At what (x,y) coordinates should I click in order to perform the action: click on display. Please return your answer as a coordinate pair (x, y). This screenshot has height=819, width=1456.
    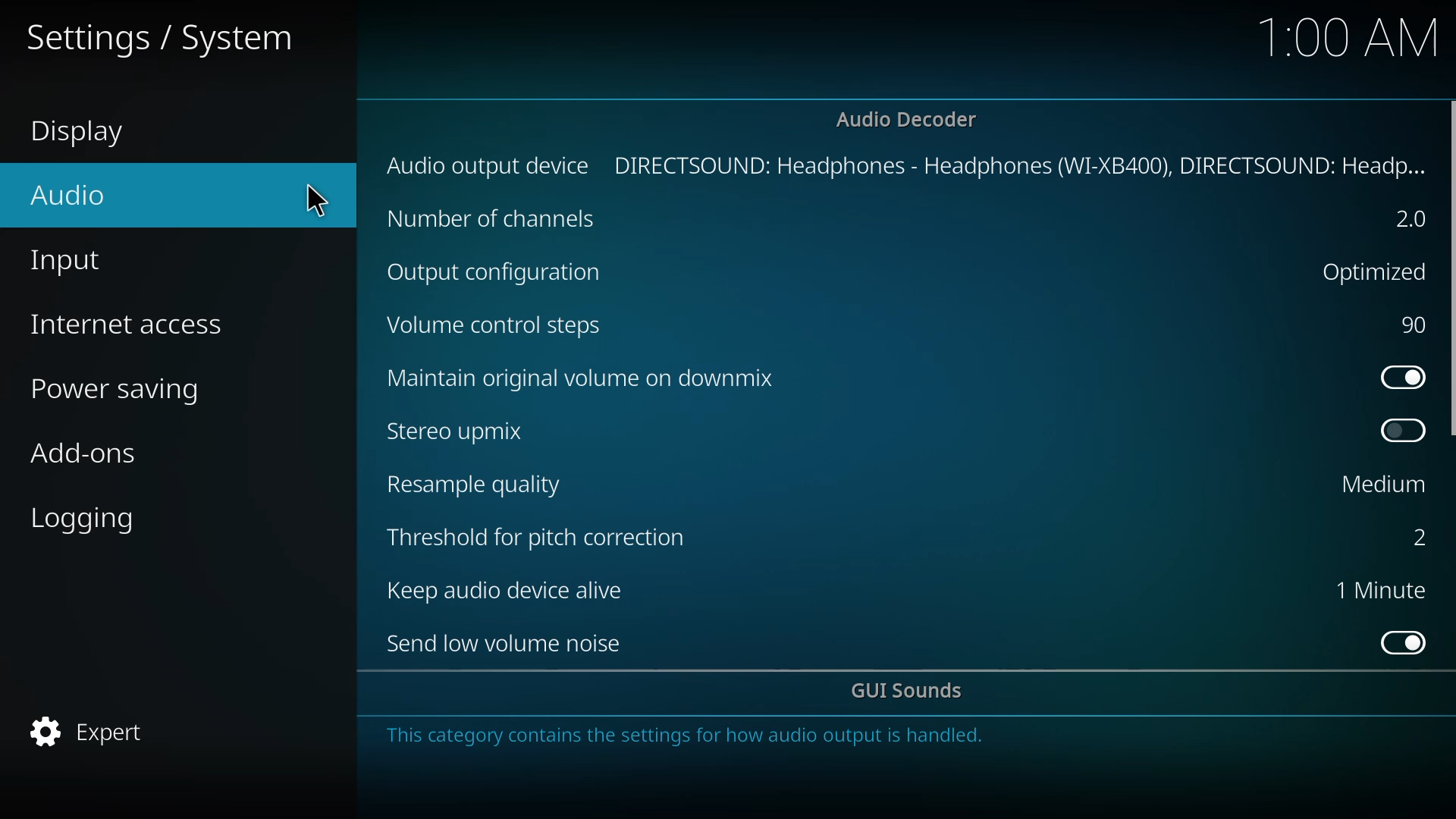
    Looking at the image, I should click on (85, 130).